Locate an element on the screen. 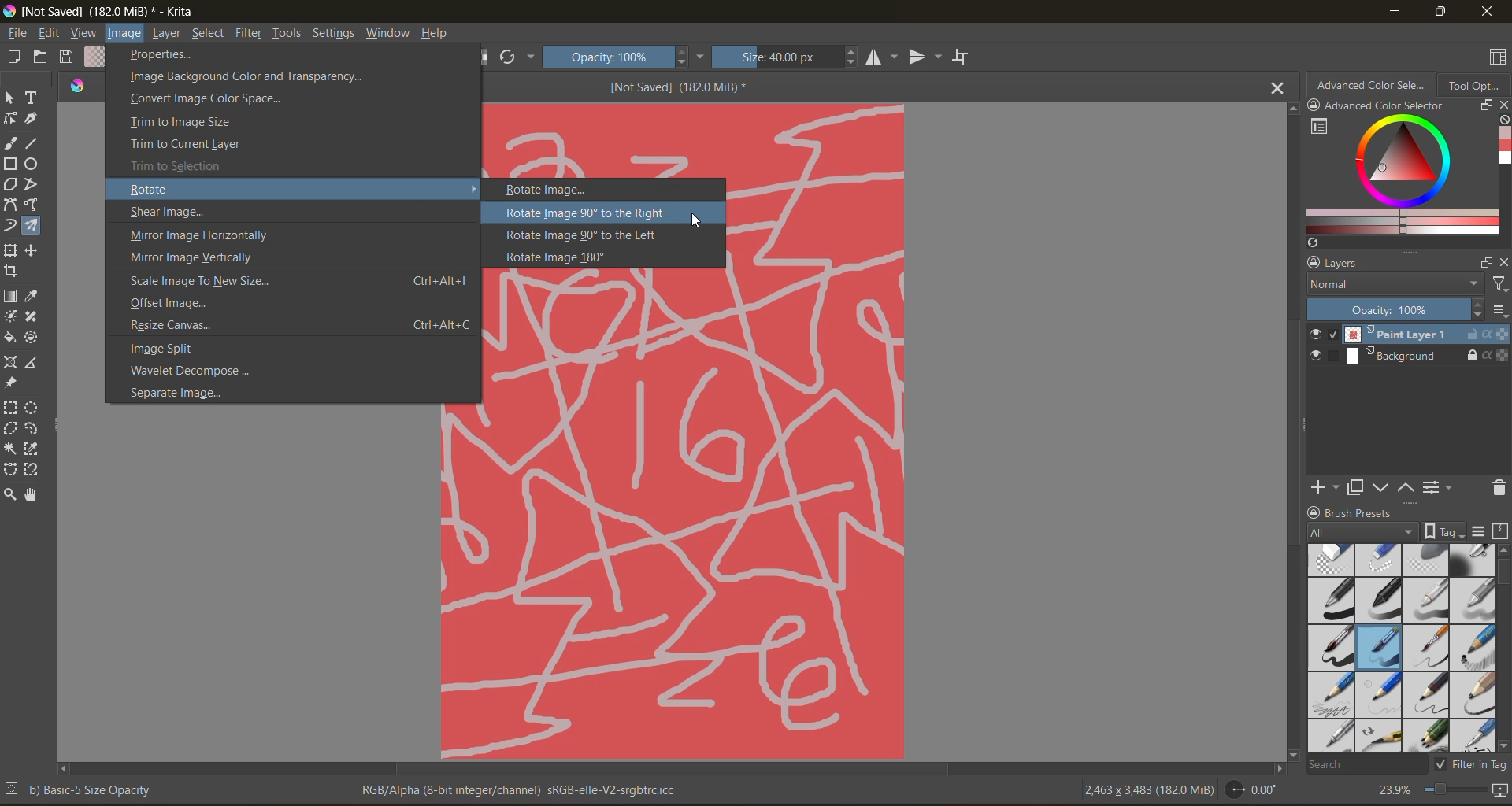 The height and width of the screenshot is (806, 1512). duplicate is located at coordinates (1352, 488).